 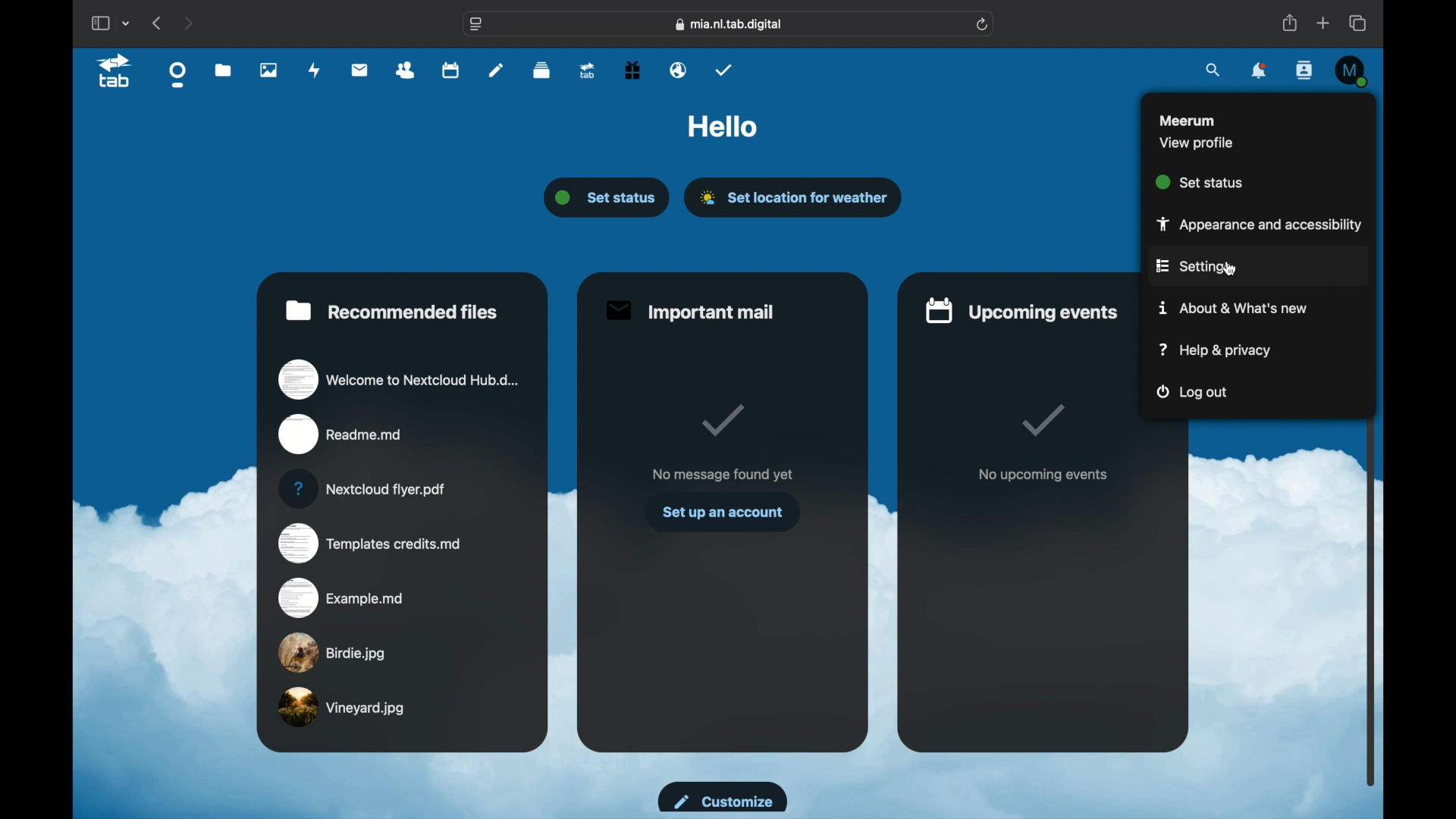 I want to click on set up an account, so click(x=722, y=512).